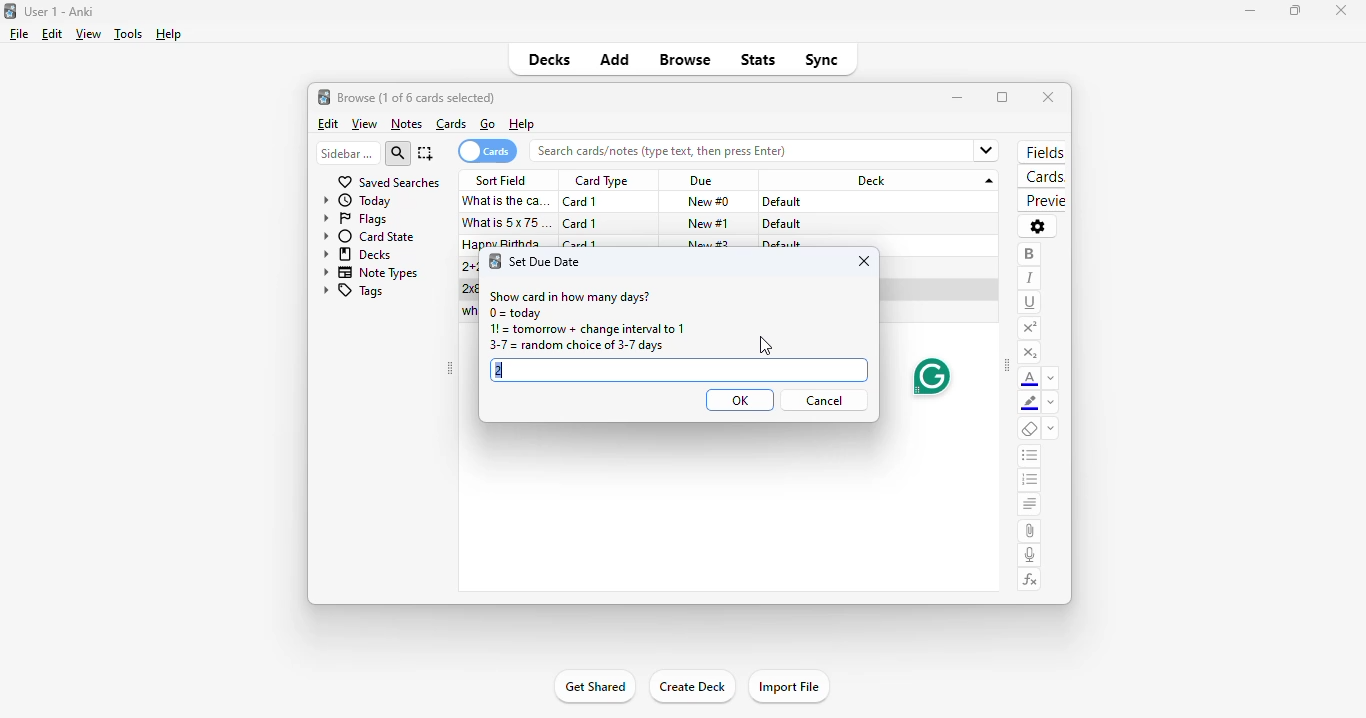 Image resolution: width=1366 pixels, height=718 pixels. I want to click on stats, so click(758, 59).